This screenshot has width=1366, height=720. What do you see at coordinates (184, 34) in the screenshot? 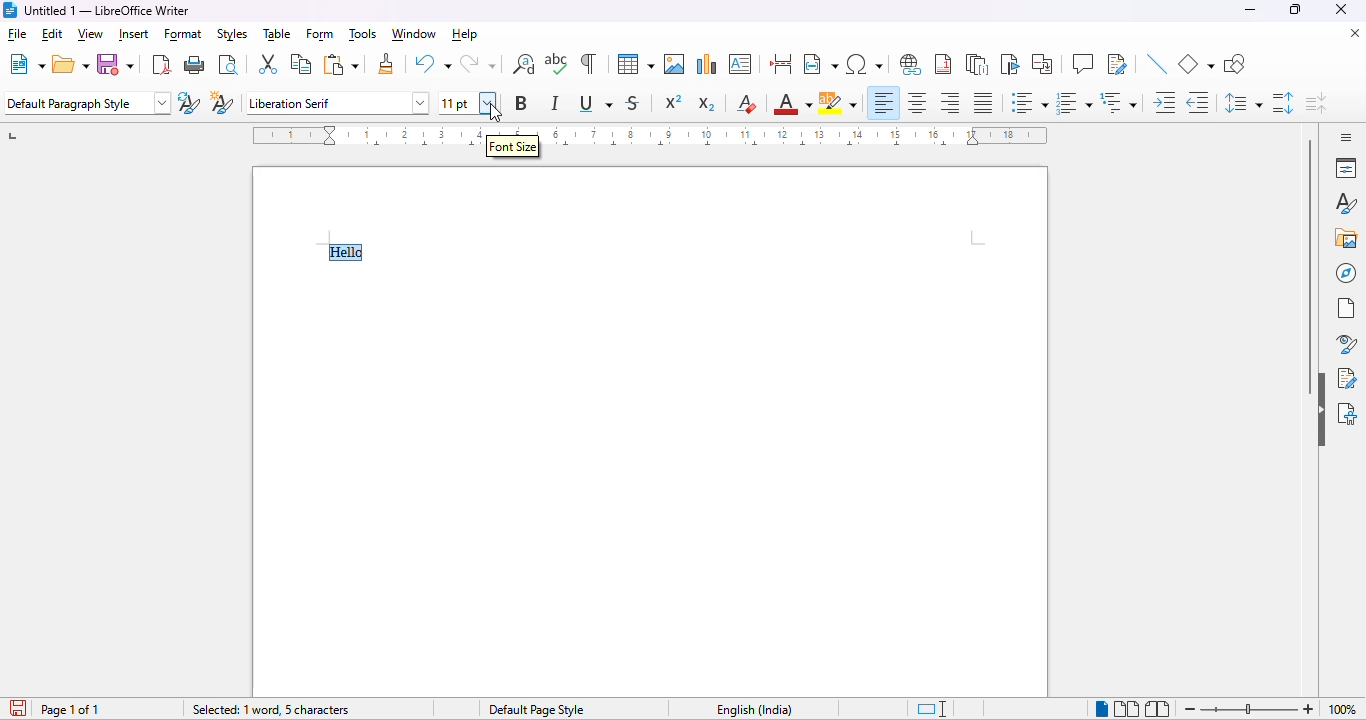
I see `format` at bounding box center [184, 34].